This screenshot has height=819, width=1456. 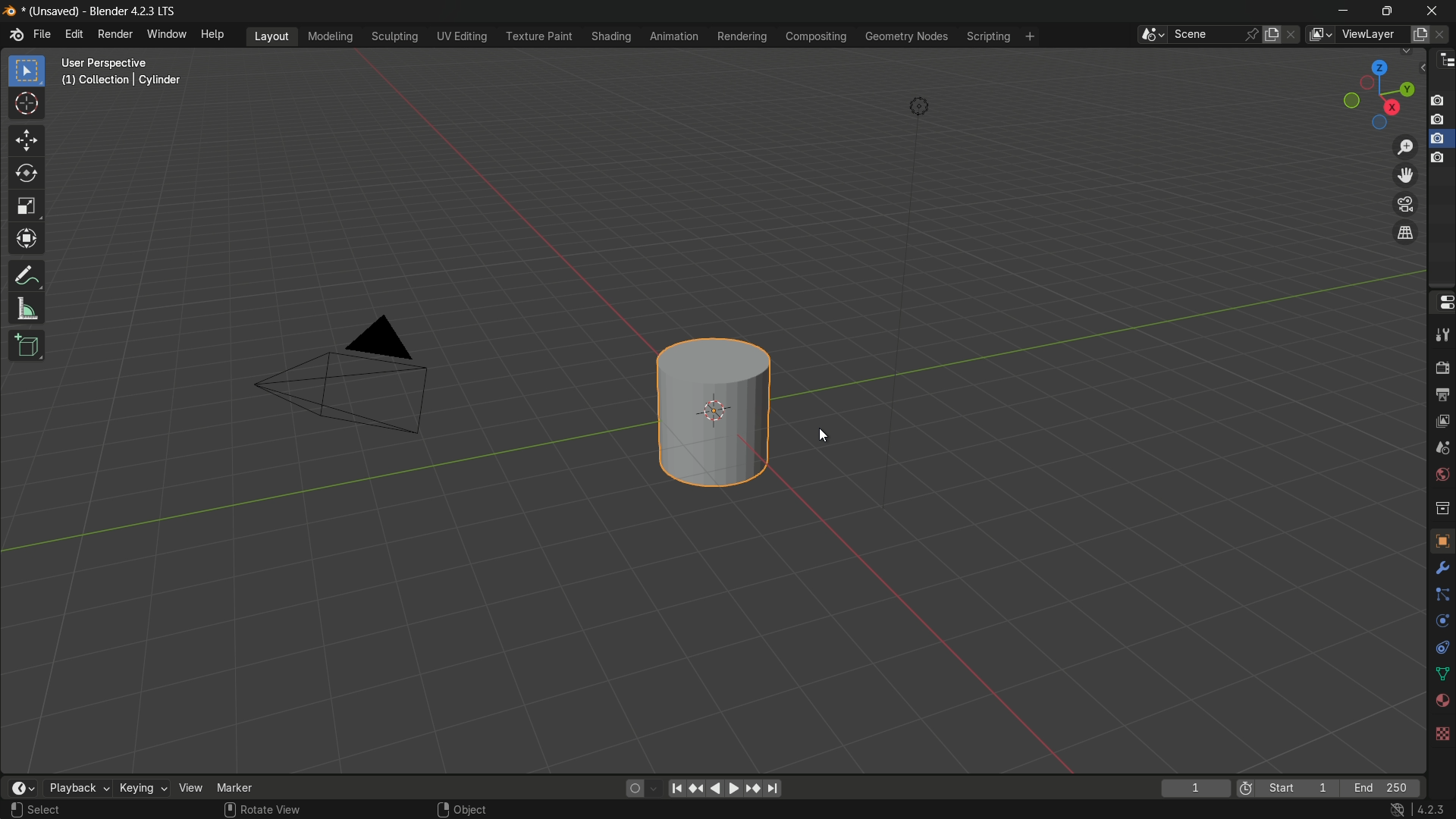 I want to click on physics, so click(x=1441, y=623).